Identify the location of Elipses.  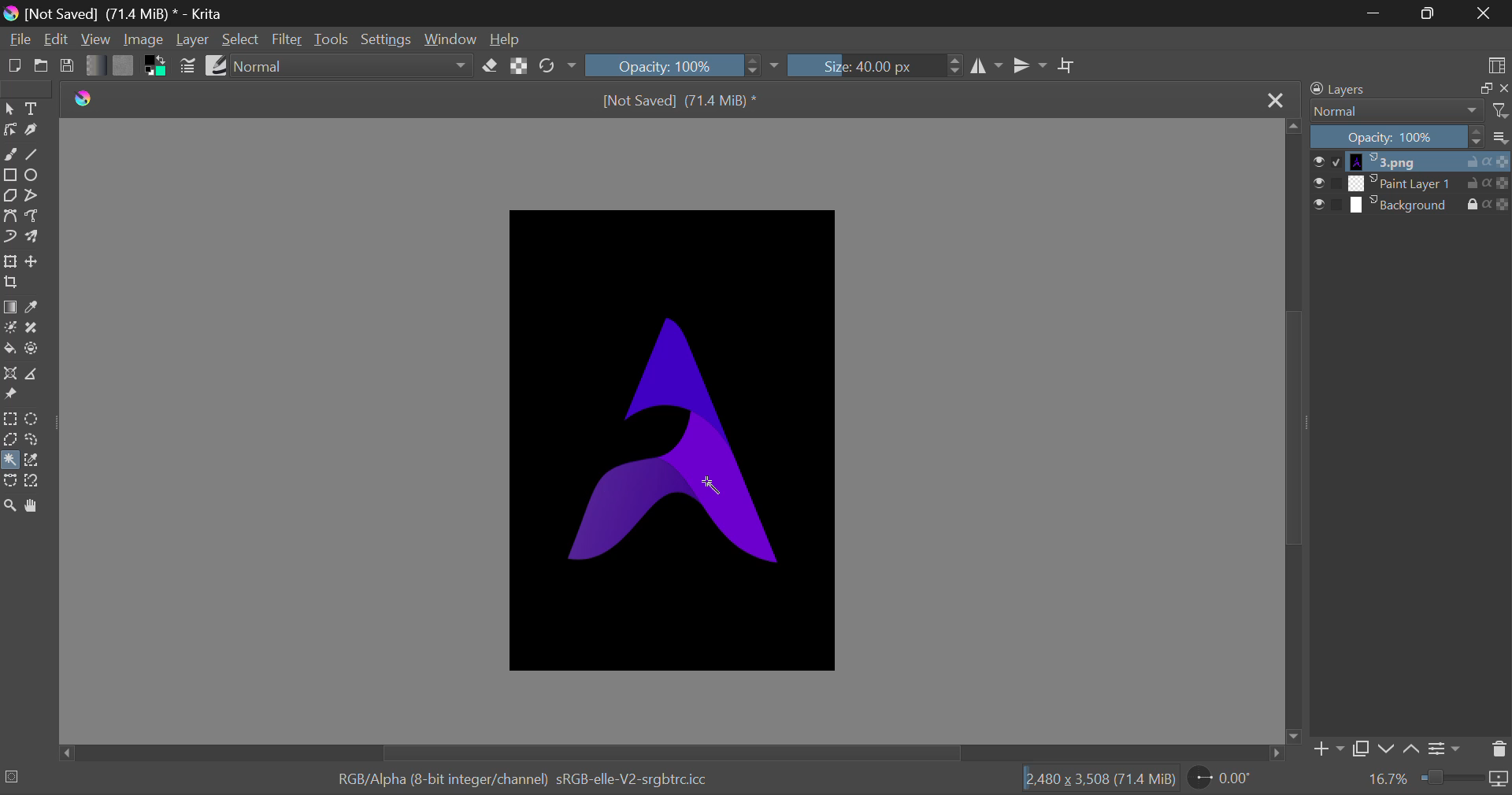
(37, 176).